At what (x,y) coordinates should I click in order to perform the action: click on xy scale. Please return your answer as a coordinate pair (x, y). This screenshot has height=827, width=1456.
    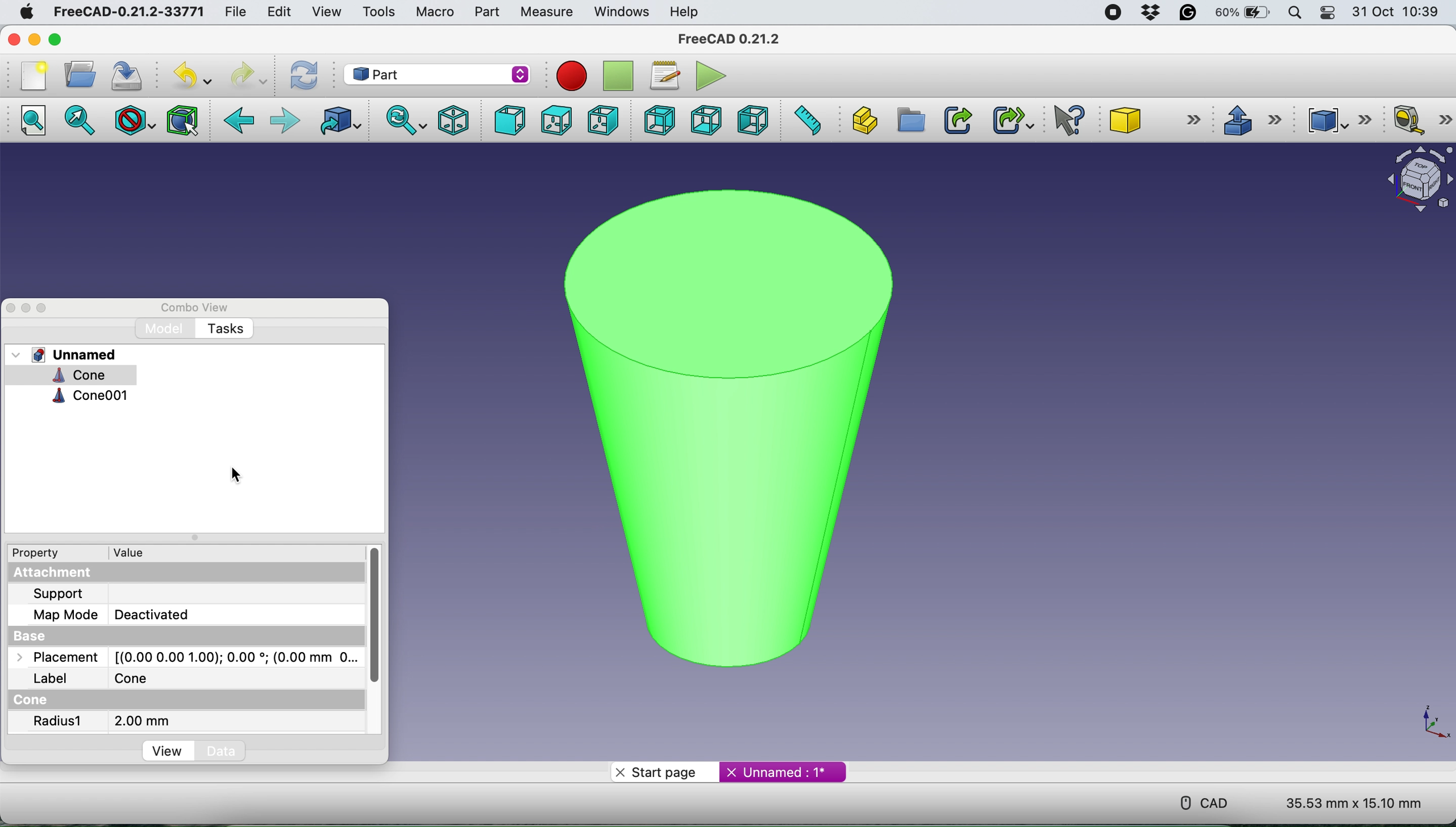
    Looking at the image, I should click on (1427, 722).